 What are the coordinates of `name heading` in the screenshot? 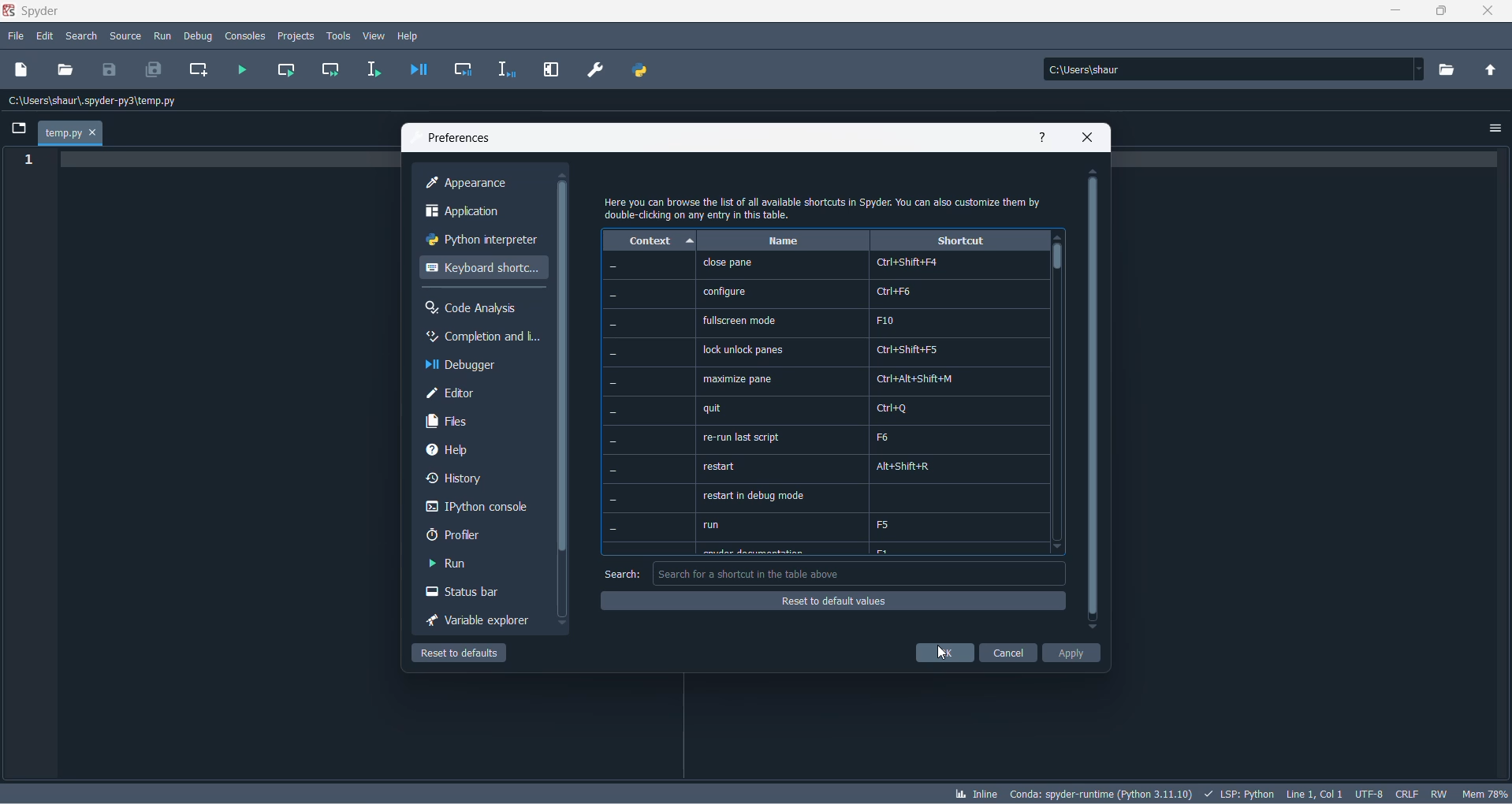 It's located at (783, 241).